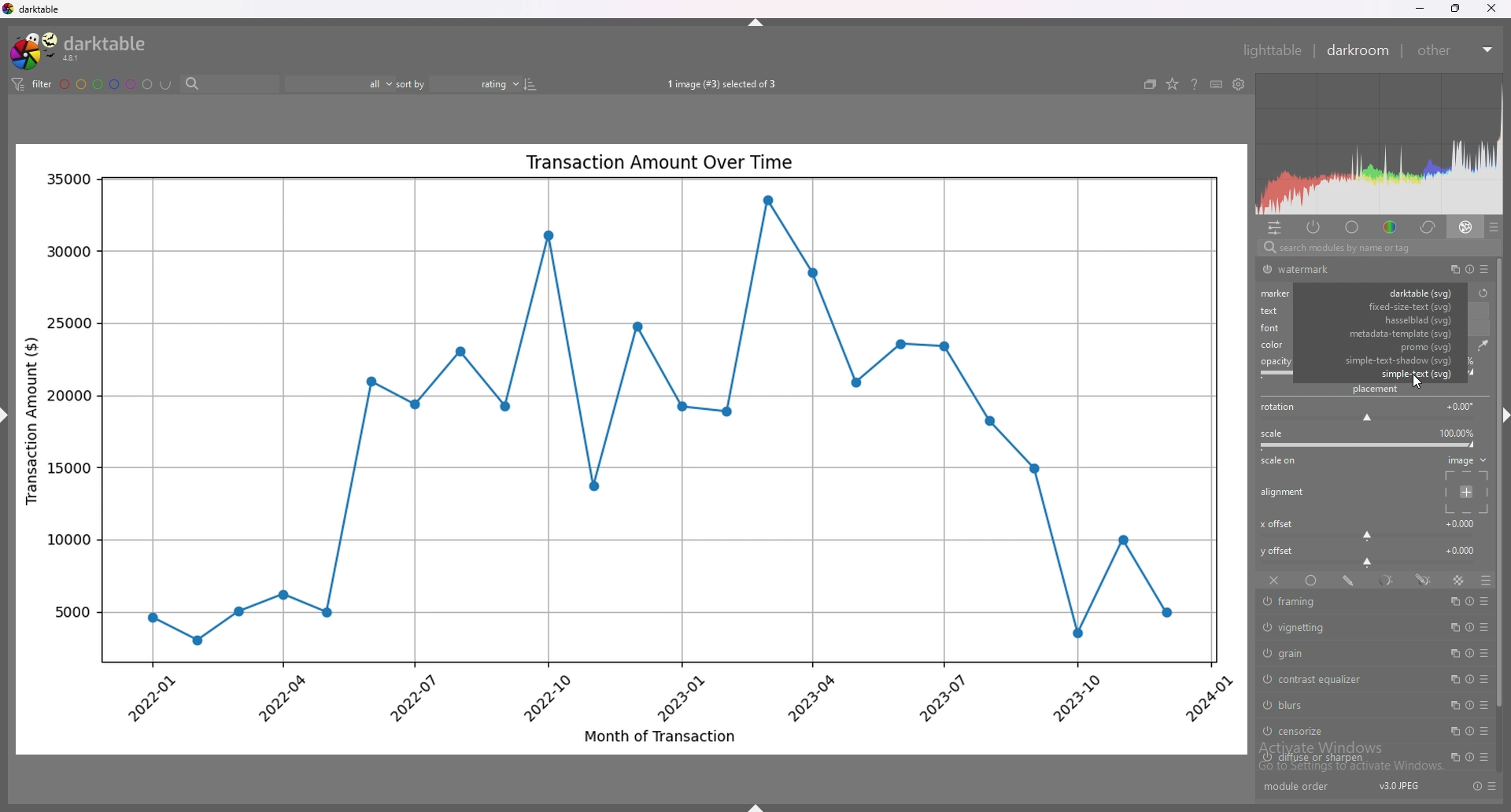 This screenshot has height=812, width=1511. I want to click on scroll bar, so click(1498, 487).